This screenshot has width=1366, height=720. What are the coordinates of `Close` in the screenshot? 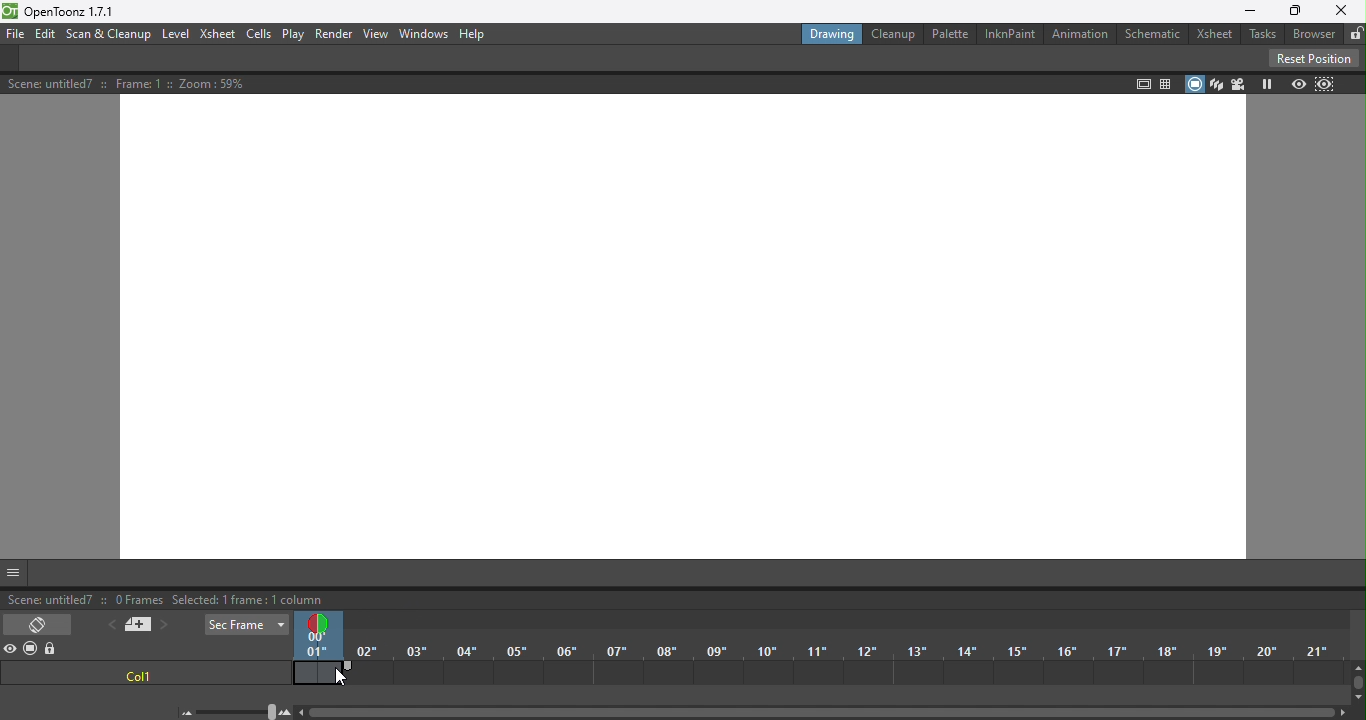 It's located at (1343, 10).